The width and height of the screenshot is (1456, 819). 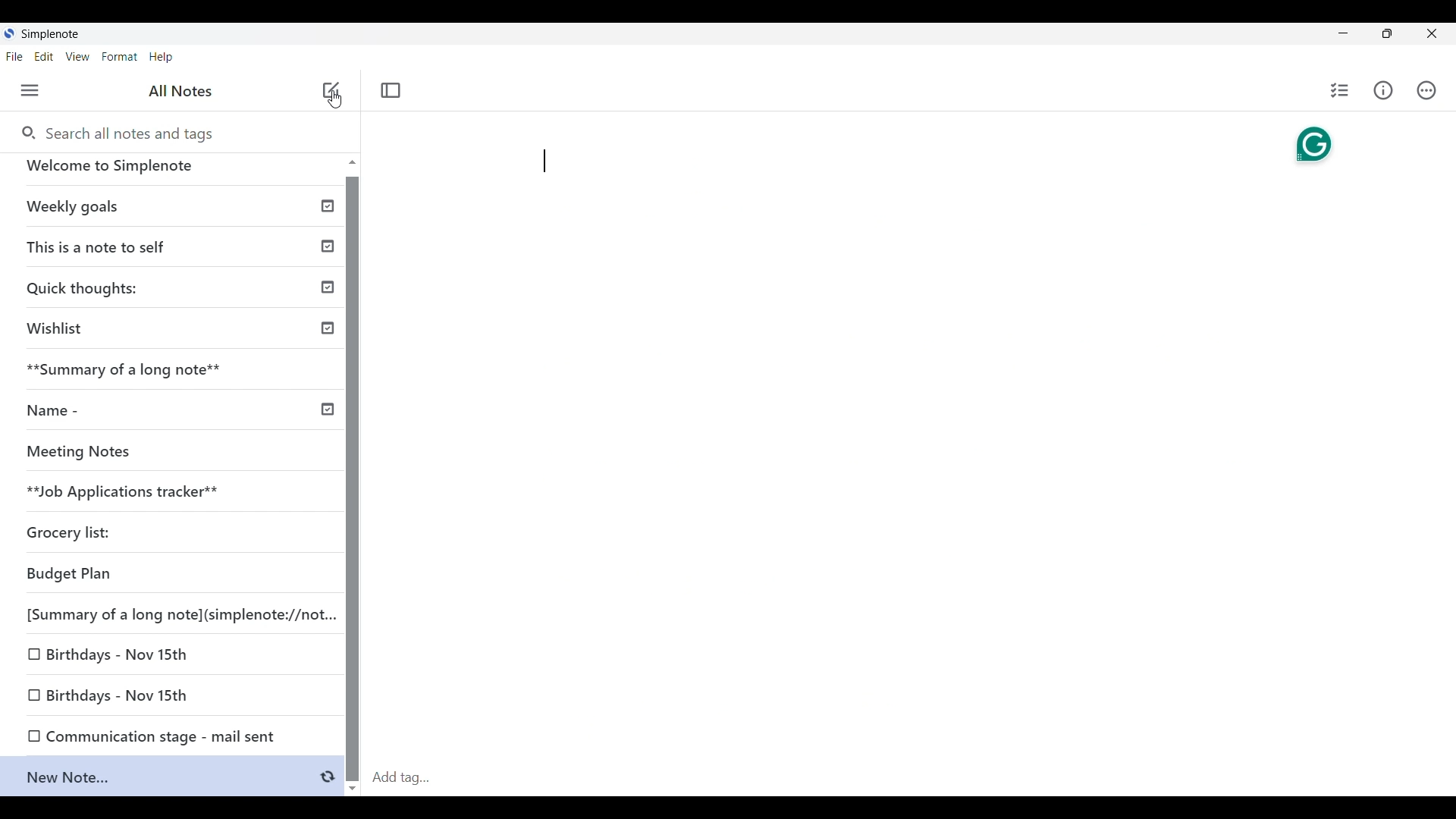 What do you see at coordinates (331, 126) in the screenshot?
I see `Description of selected note` at bounding box center [331, 126].